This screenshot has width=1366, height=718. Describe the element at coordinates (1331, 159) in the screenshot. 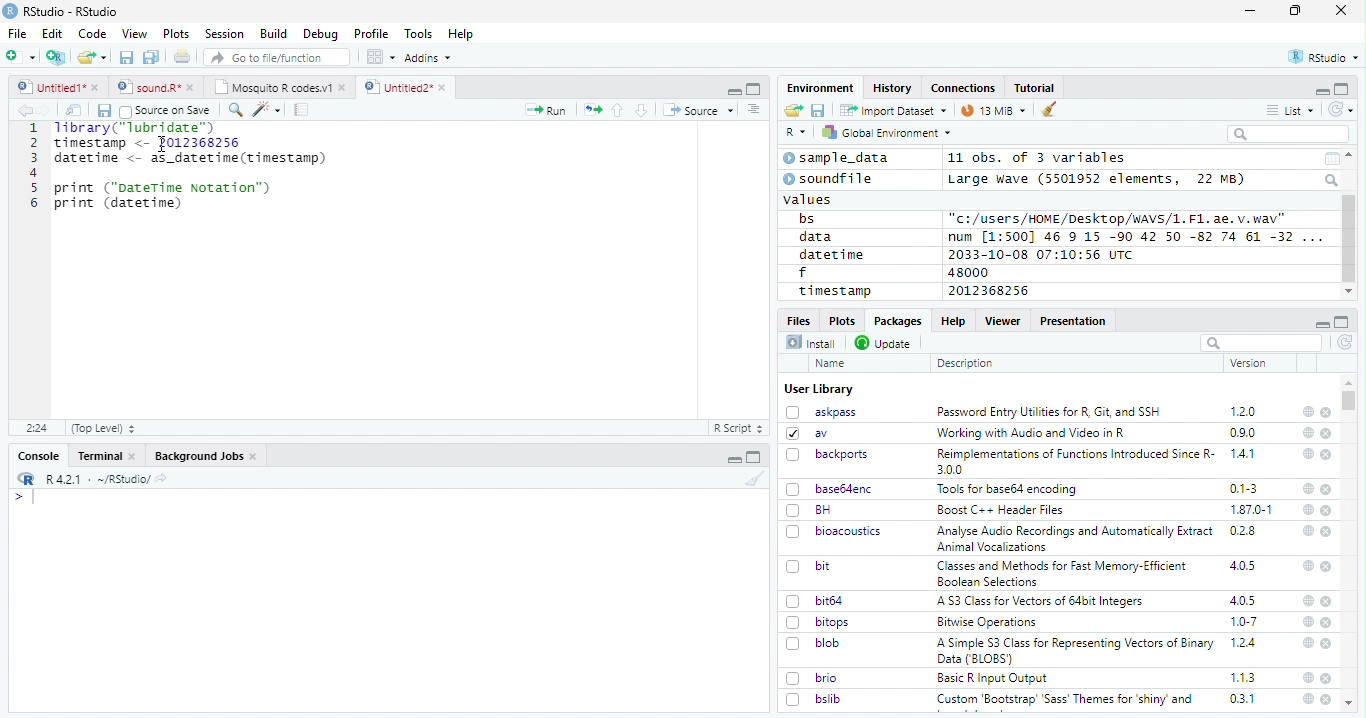

I see `Calendar` at that location.